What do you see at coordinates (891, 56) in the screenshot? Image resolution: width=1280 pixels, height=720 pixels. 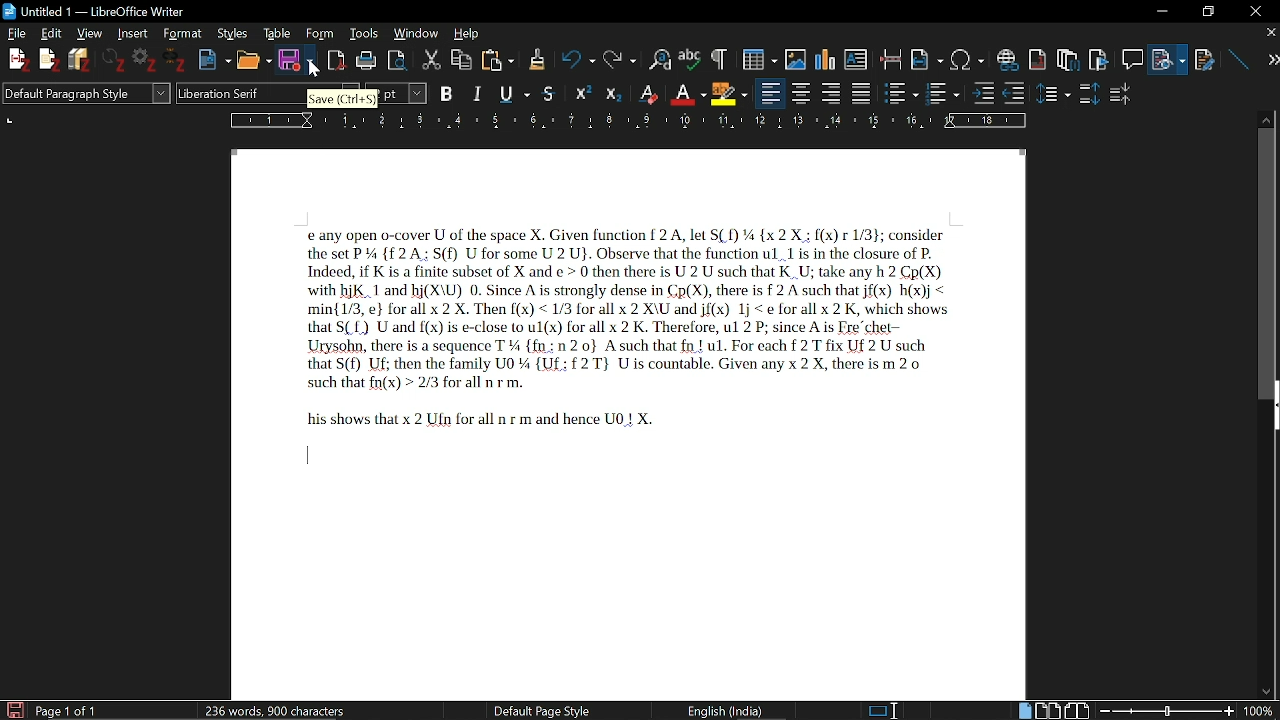 I see `Insert page break` at bounding box center [891, 56].